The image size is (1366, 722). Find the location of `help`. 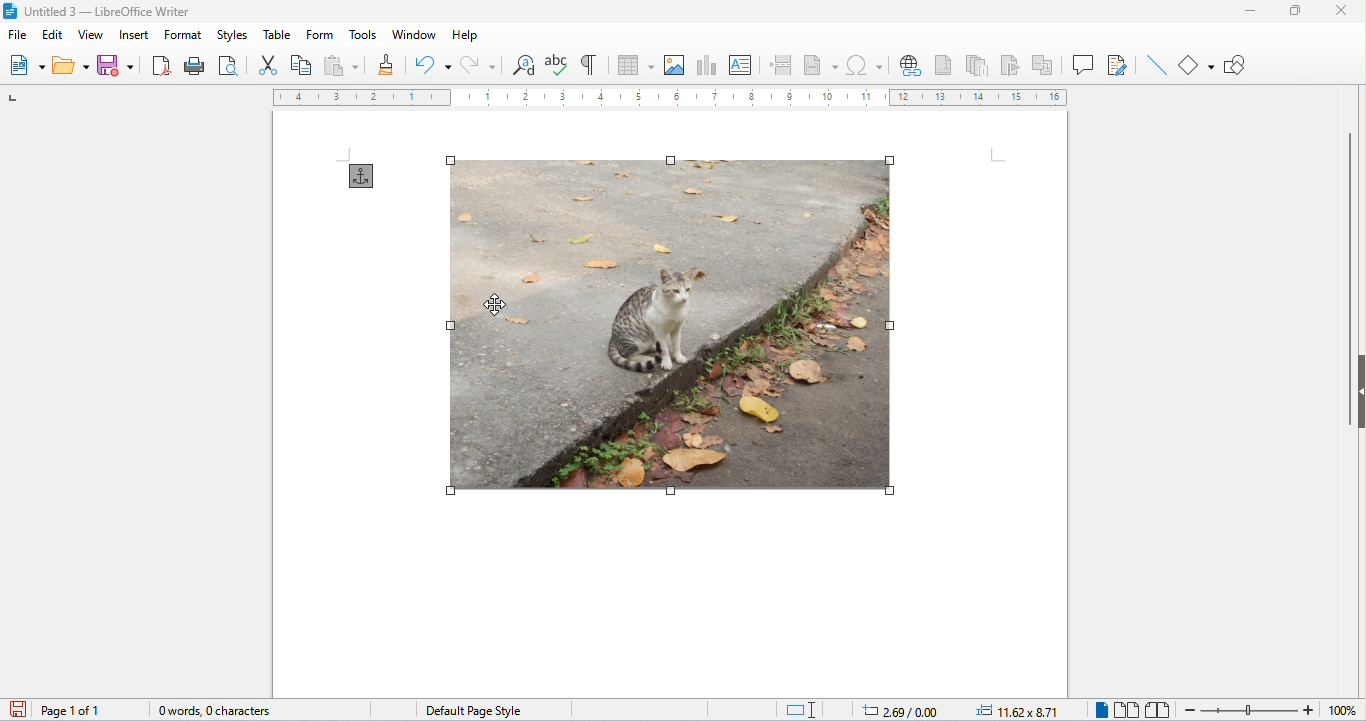

help is located at coordinates (465, 35).